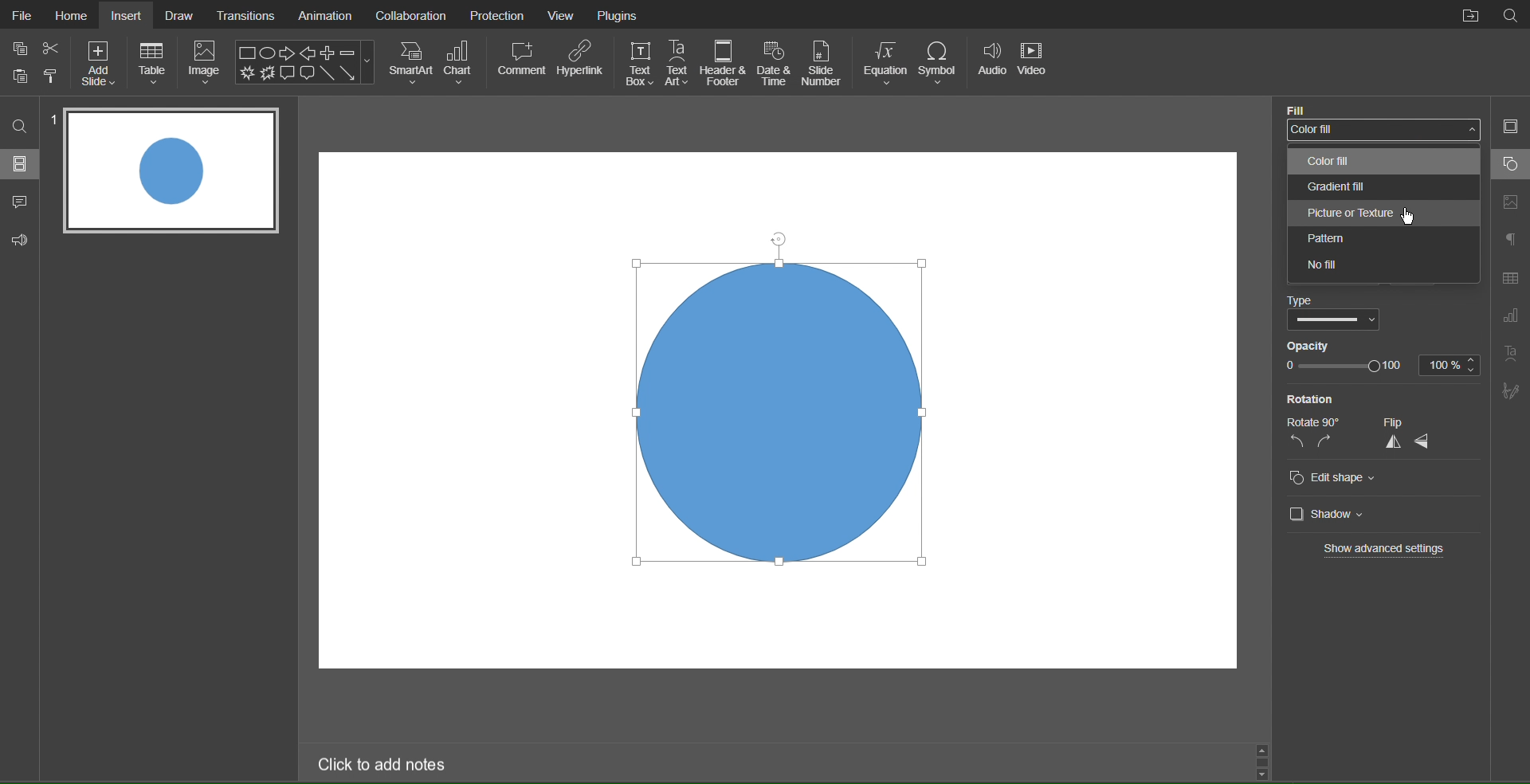  Describe the element at coordinates (324, 16) in the screenshot. I see `Animation` at that location.